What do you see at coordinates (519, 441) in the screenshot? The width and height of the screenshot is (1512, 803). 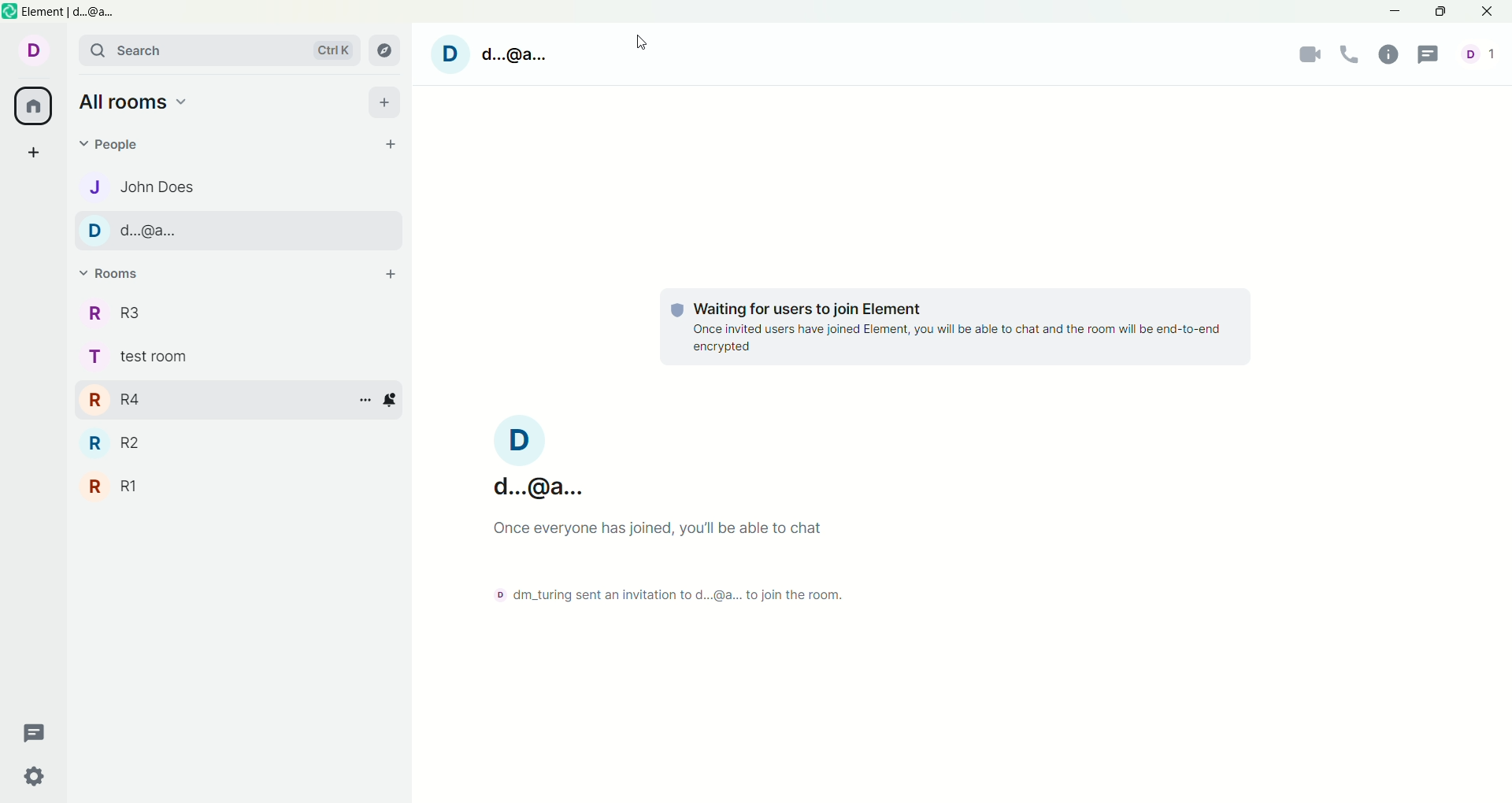 I see `Current account image` at bounding box center [519, 441].